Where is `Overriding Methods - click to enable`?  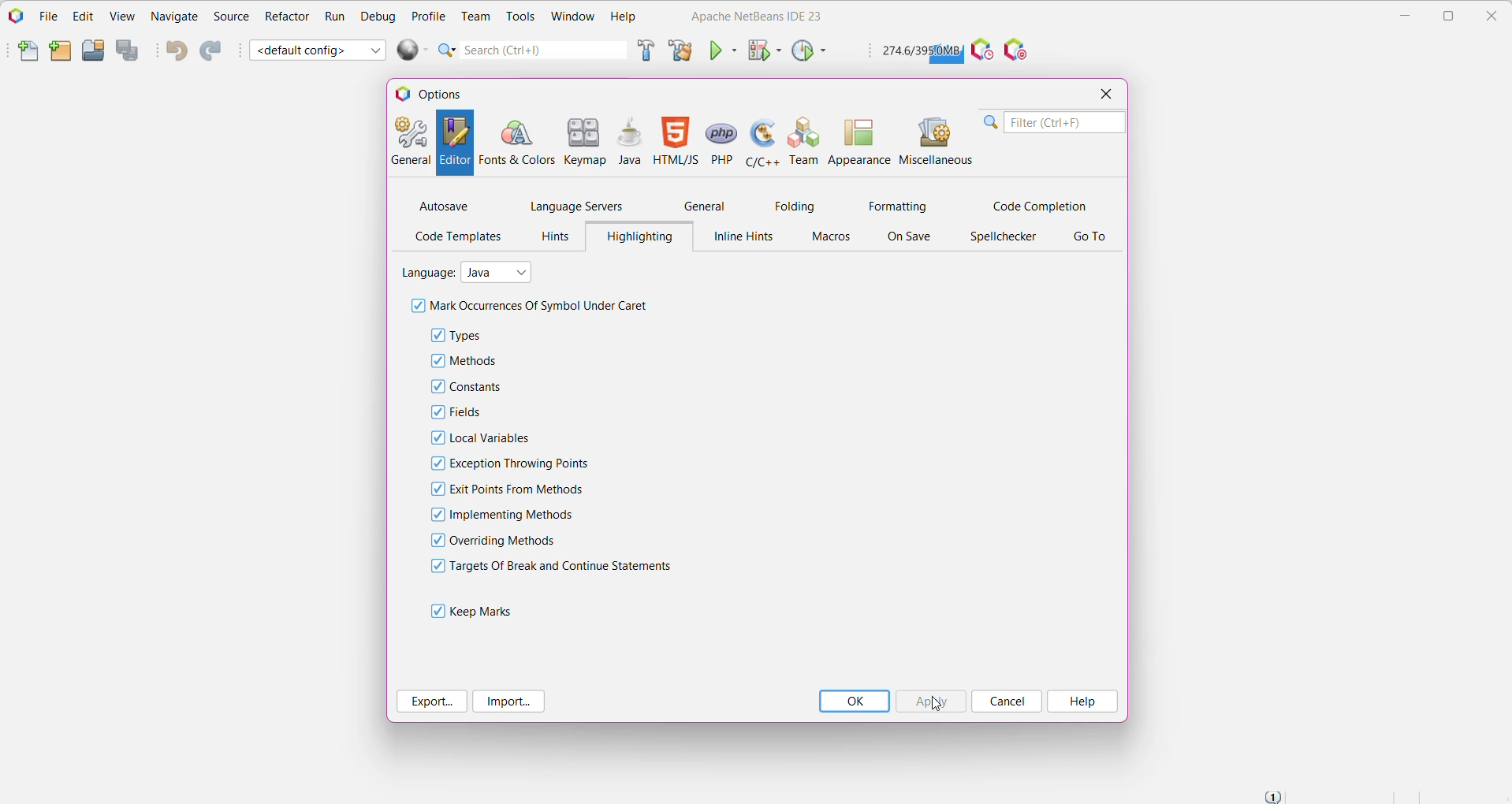
Overriding Methods - click to enable is located at coordinates (509, 542).